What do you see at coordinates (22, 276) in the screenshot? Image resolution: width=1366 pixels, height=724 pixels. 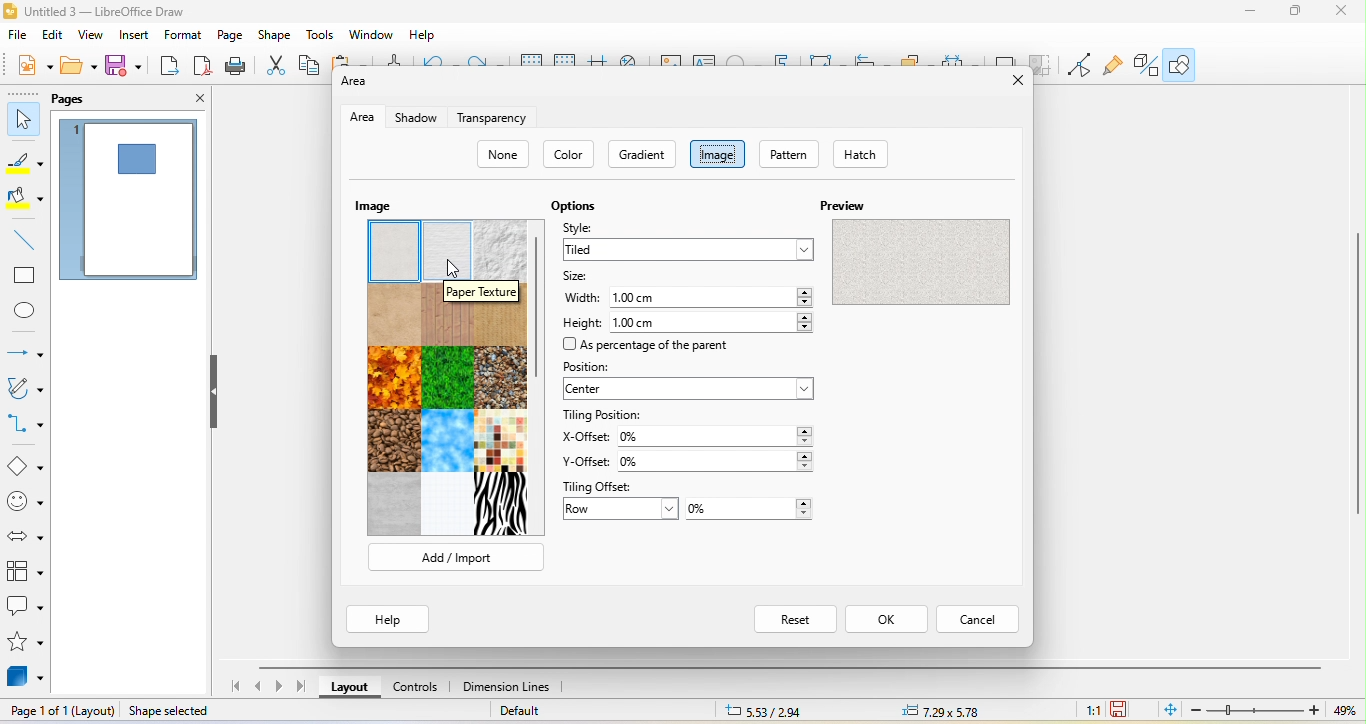 I see `rectangle` at bounding box center [22, 276].